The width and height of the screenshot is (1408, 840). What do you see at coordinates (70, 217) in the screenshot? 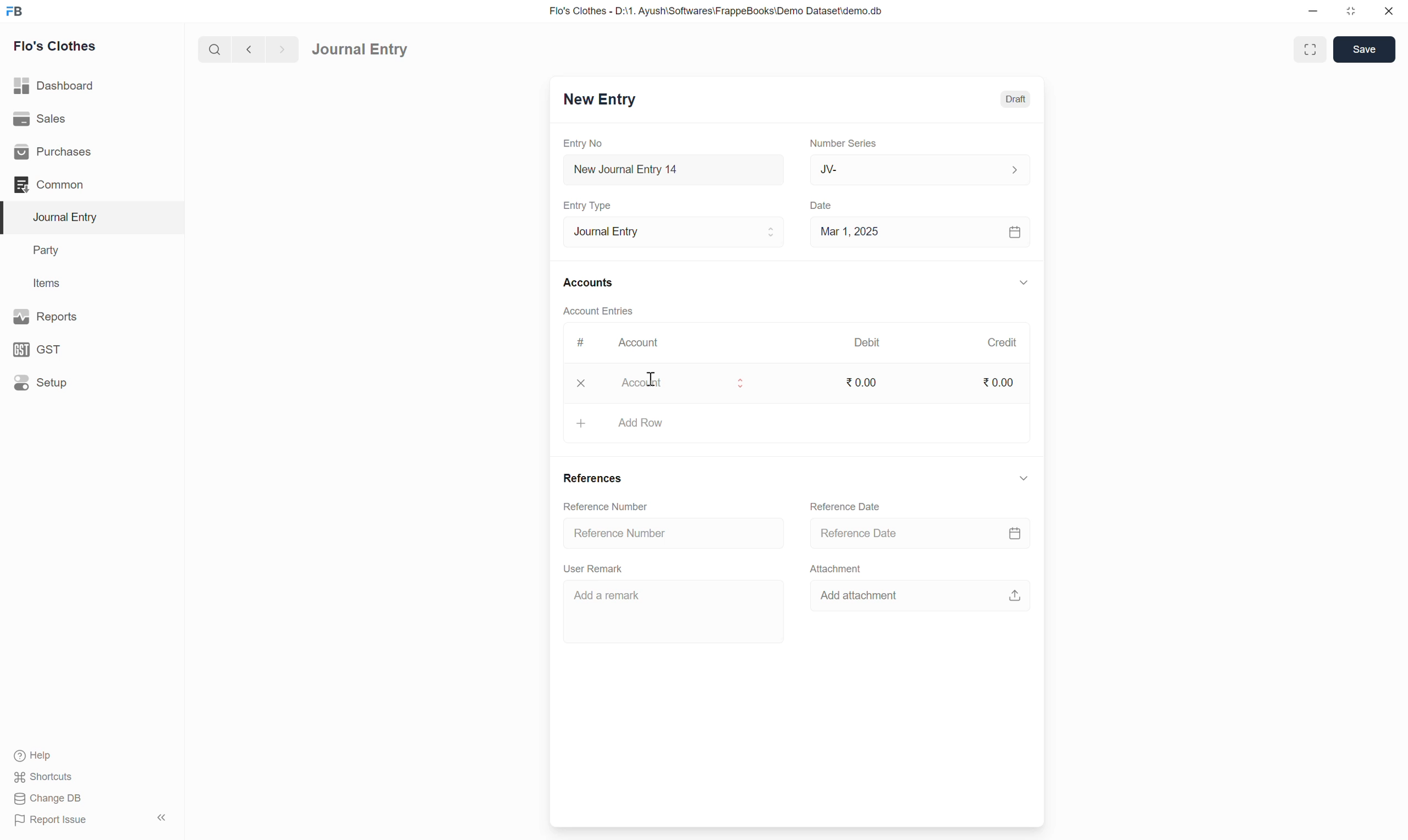
I see `Journal Entry` at bounding box center [70, 217].